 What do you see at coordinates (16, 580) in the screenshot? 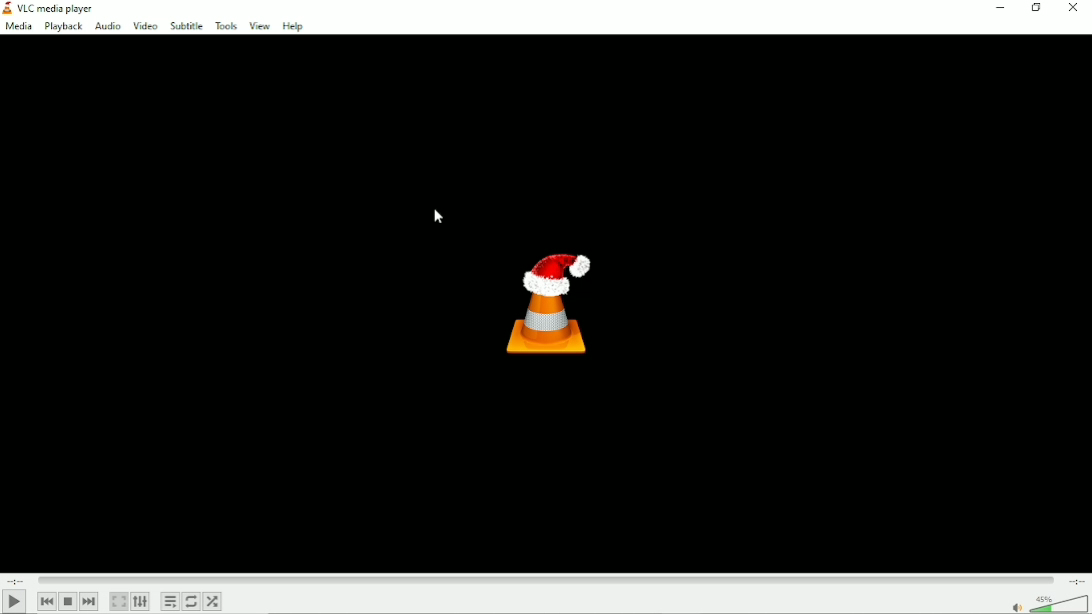
I see `Elapsed time` at bounding box center [16, 580].